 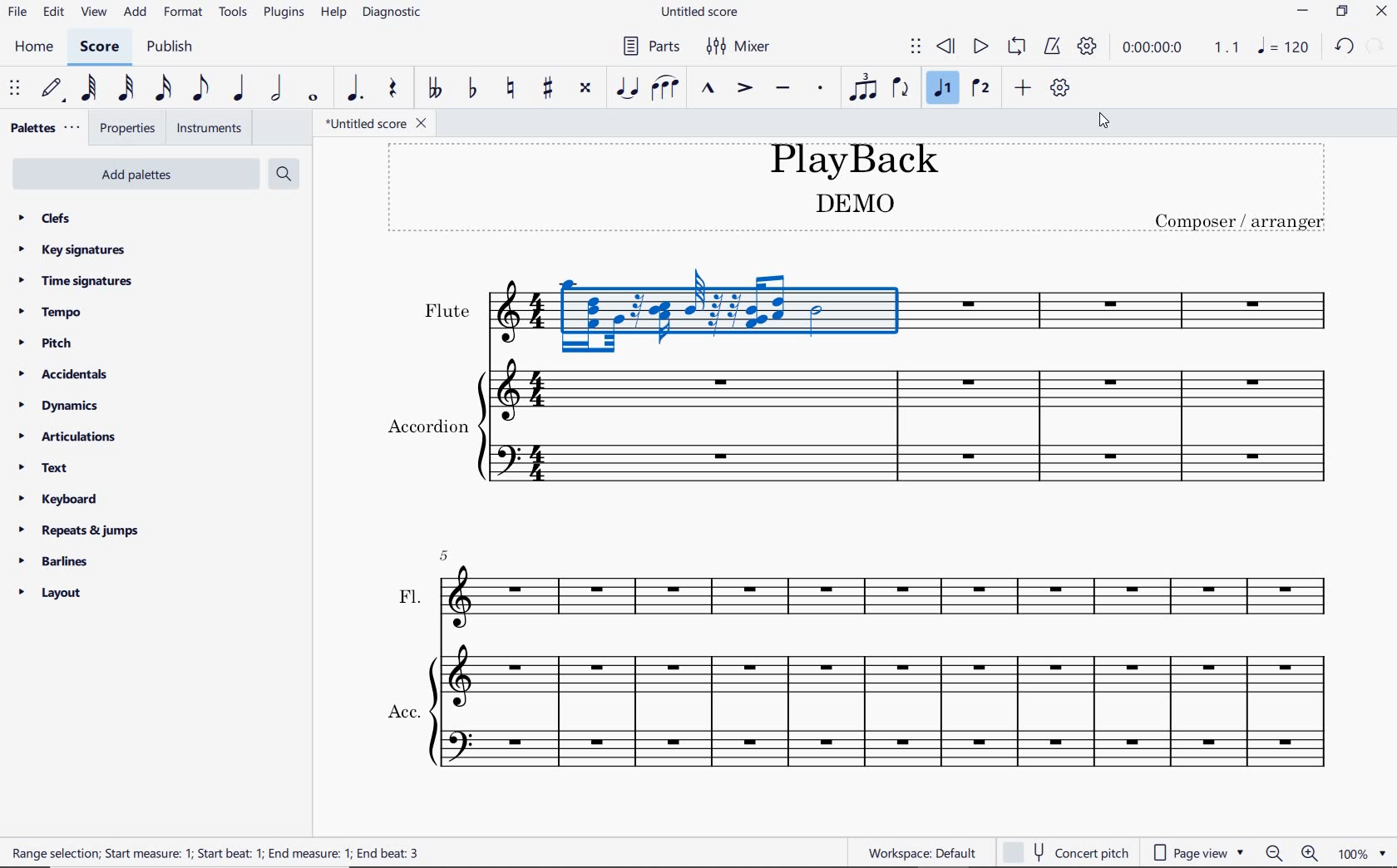 What do you see at coordinates (1226, 49) in the screenshot?
I see `Playback speed` at bounding box center [1226, 49].